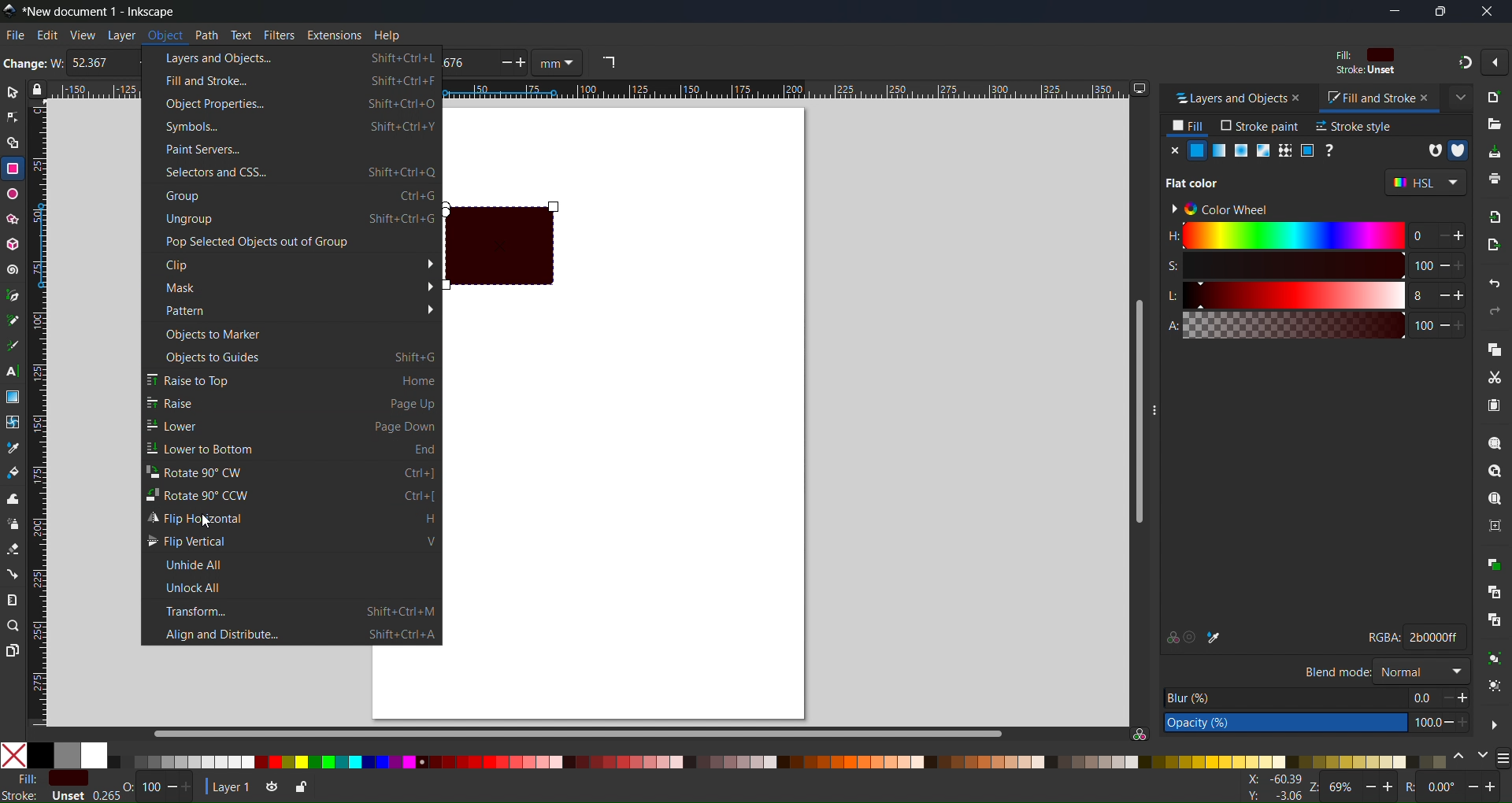 Image resolution: width=1512 pixels, height=803 pixels. I want to click on Rotate 90 degree CCW, so click(292, 494).